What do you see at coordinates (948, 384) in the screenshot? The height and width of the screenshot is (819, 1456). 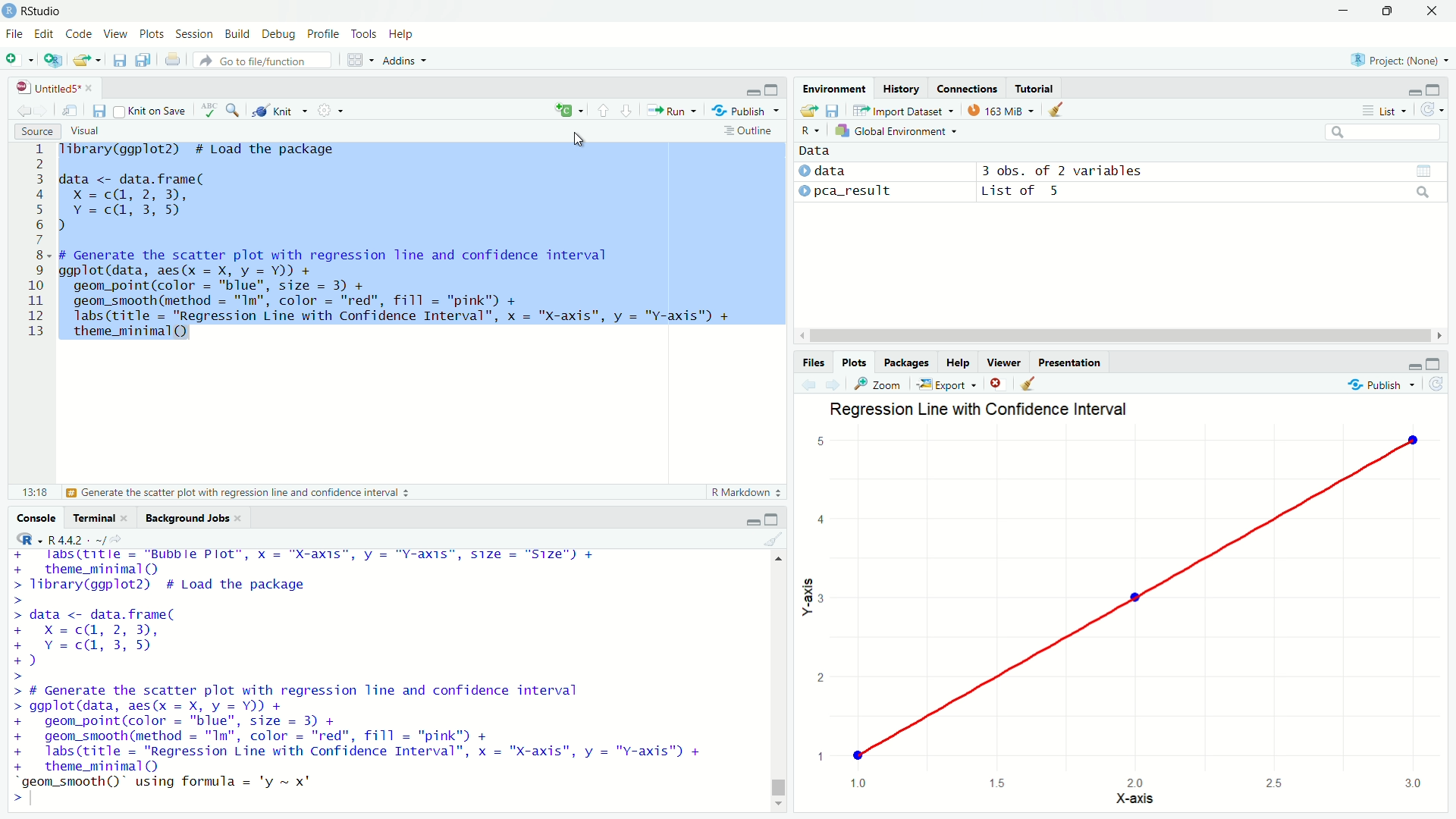 I see `Export` at bounding box center [948, 384].